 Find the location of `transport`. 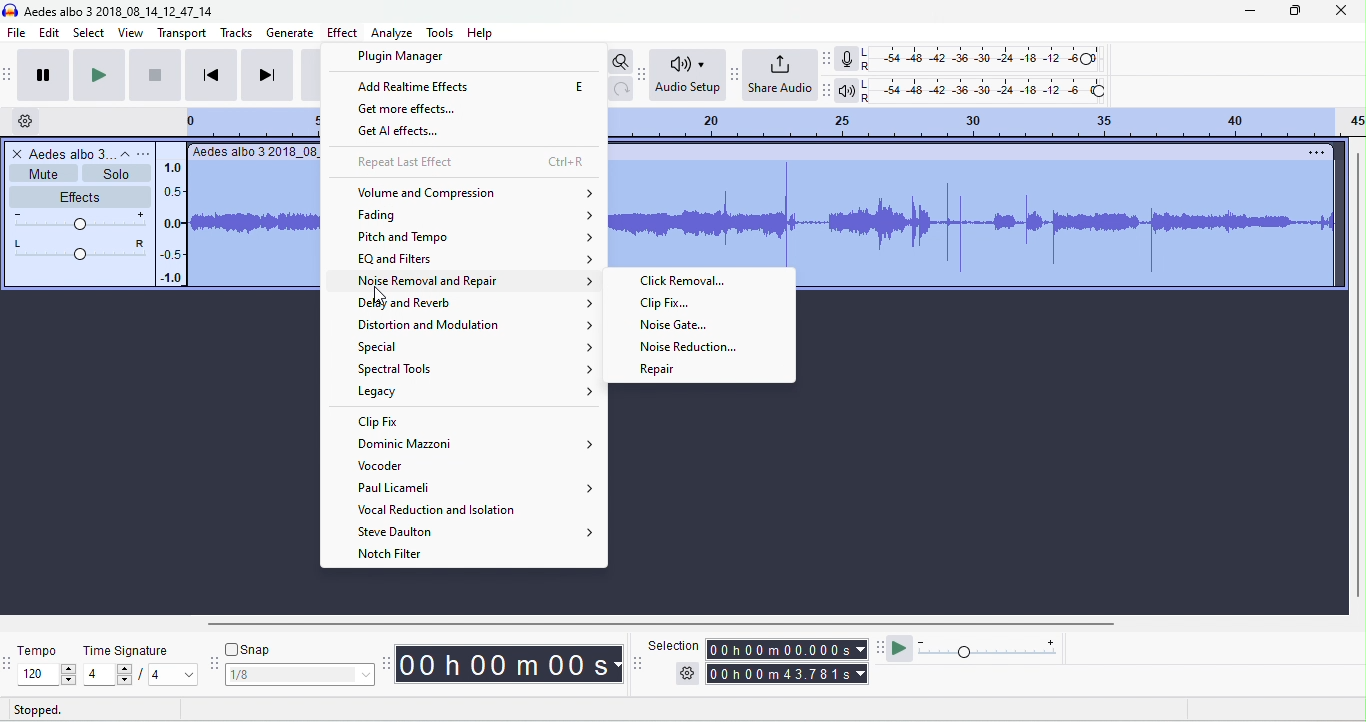

transport is located at coordinates (180, 33).